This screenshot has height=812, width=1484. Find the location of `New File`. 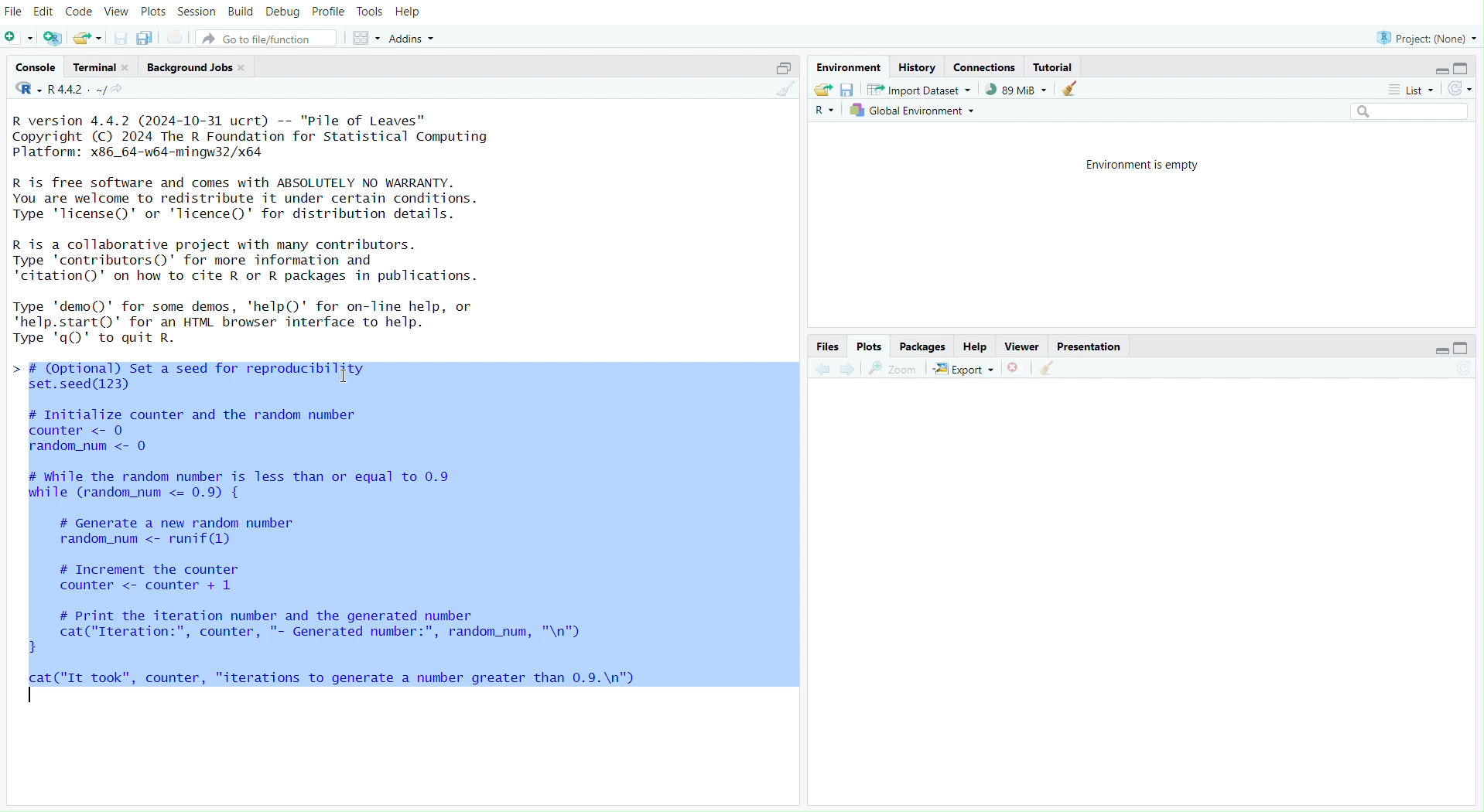

New File is located at coordinates (19, 37).